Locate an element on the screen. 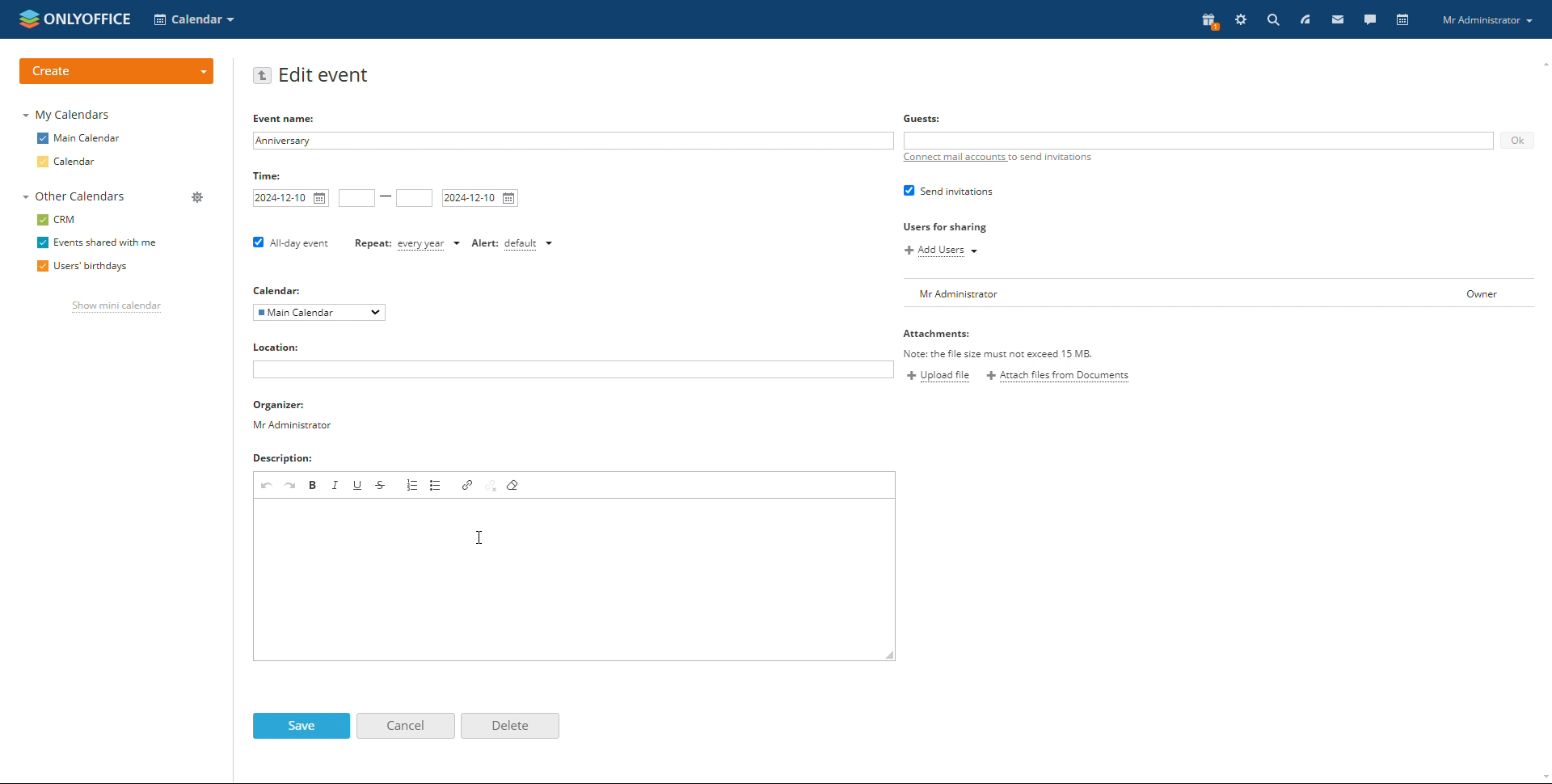 The image size is (1552, 784). events shared with me is located at coordinates (95, 243).